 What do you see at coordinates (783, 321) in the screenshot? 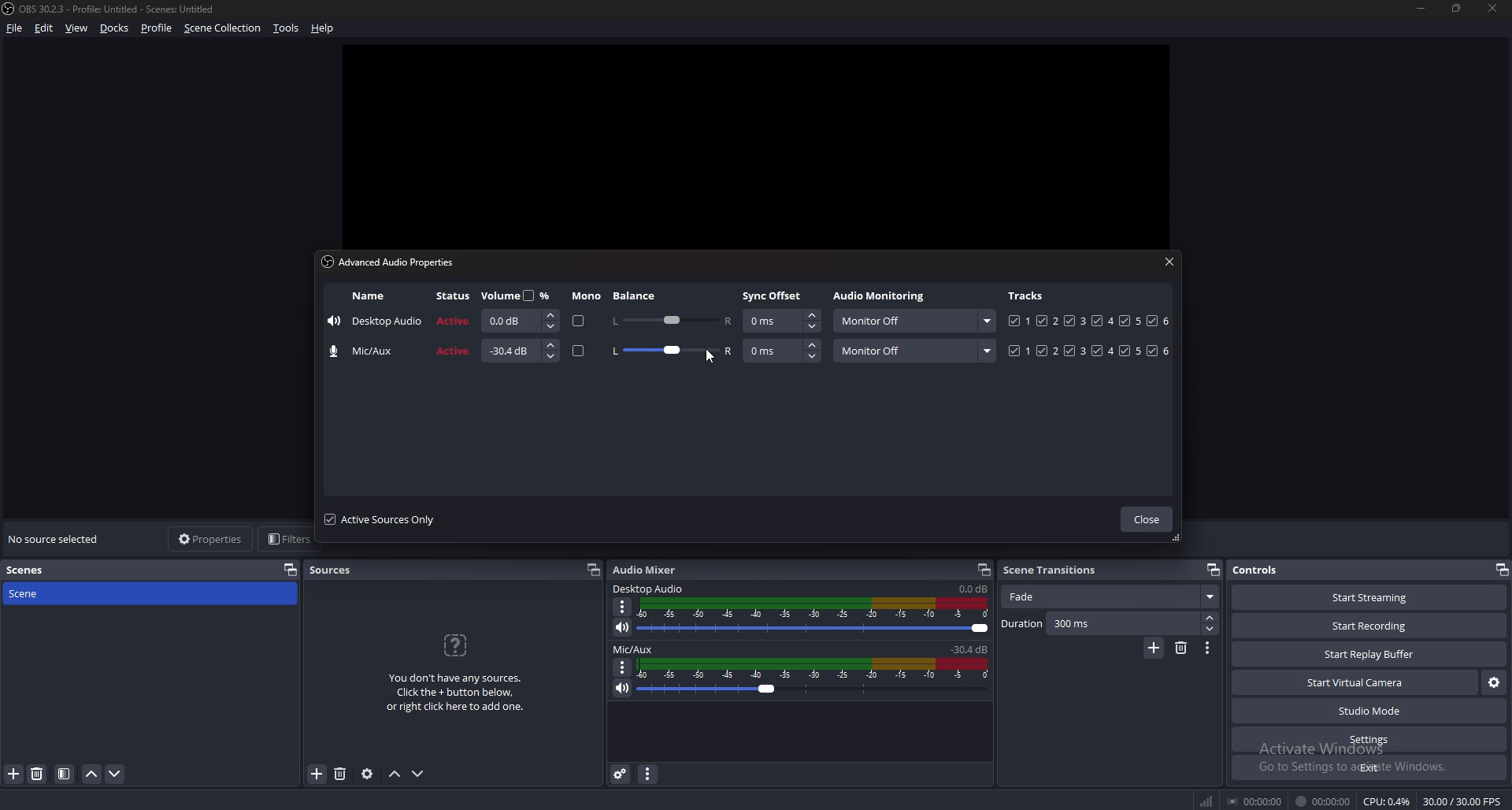
I see `sync offset` at bounding box center [783, 321].